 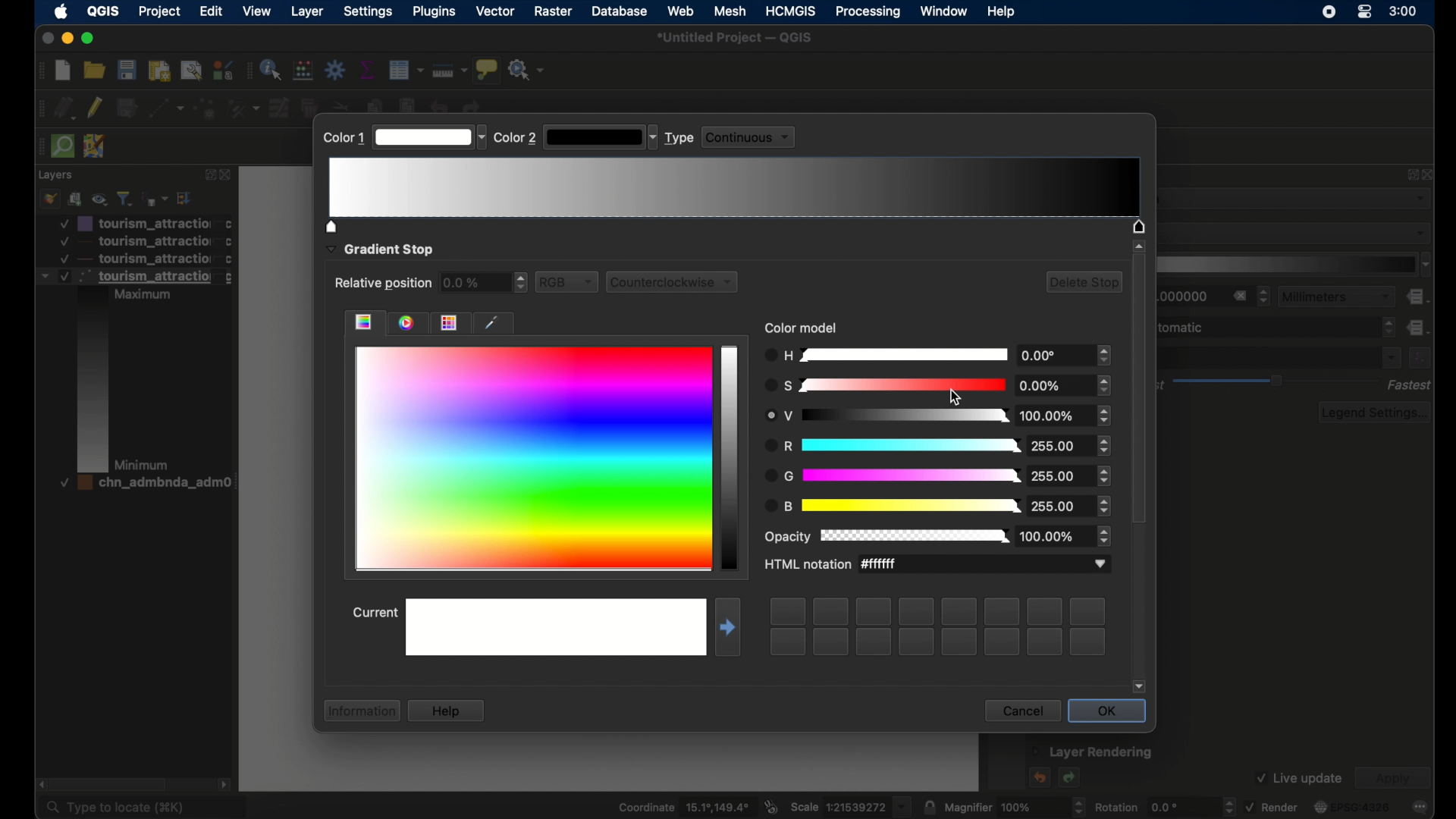 What do you see at coordinates (601, 137) in the screenshot?
I see `dropdown` at bounding box center [601, 137].